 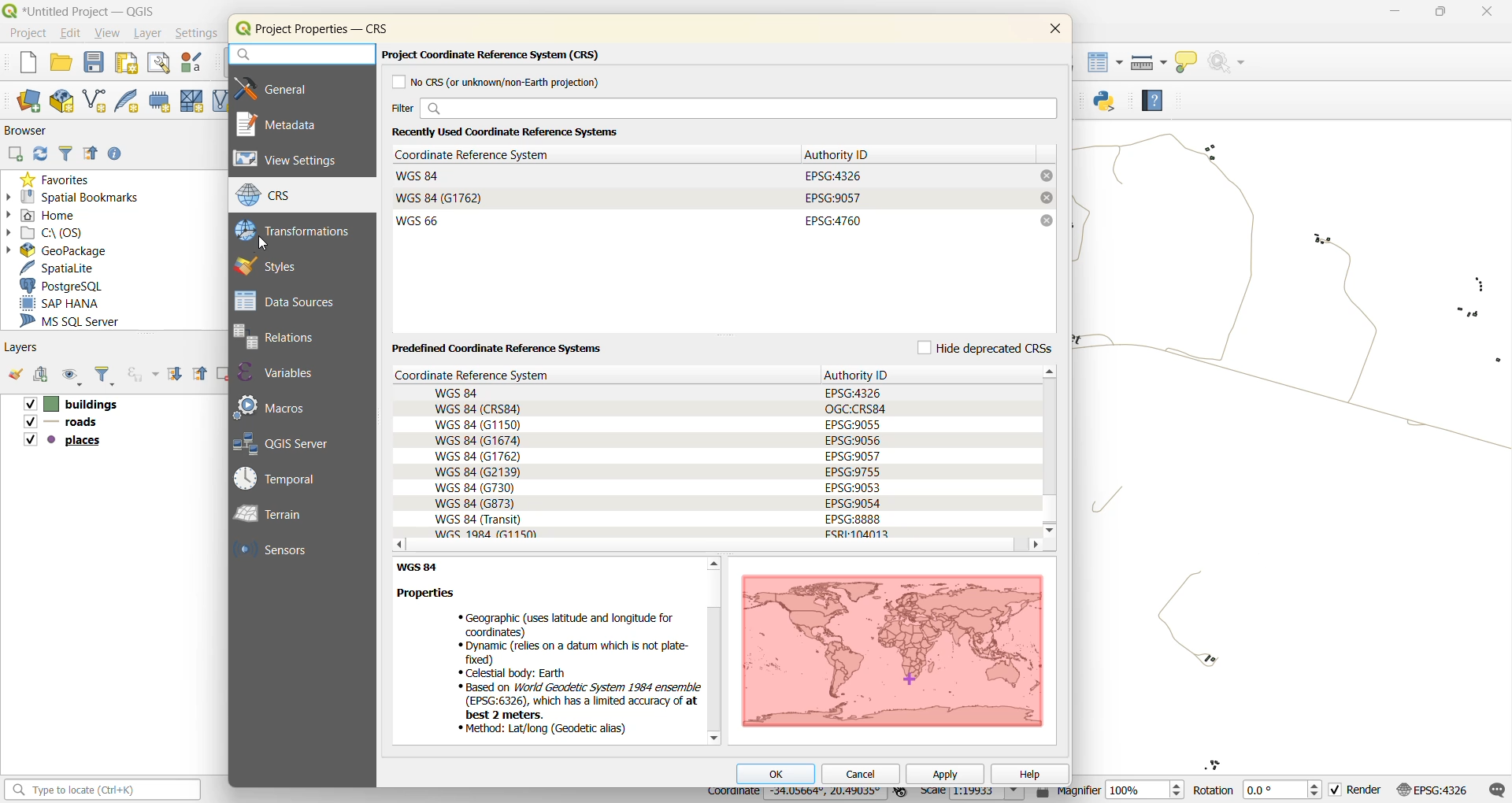 What do you see at coordinates (1147, 62) in the screenshot?
I see `measure line` at bounding box center [1147, 62].